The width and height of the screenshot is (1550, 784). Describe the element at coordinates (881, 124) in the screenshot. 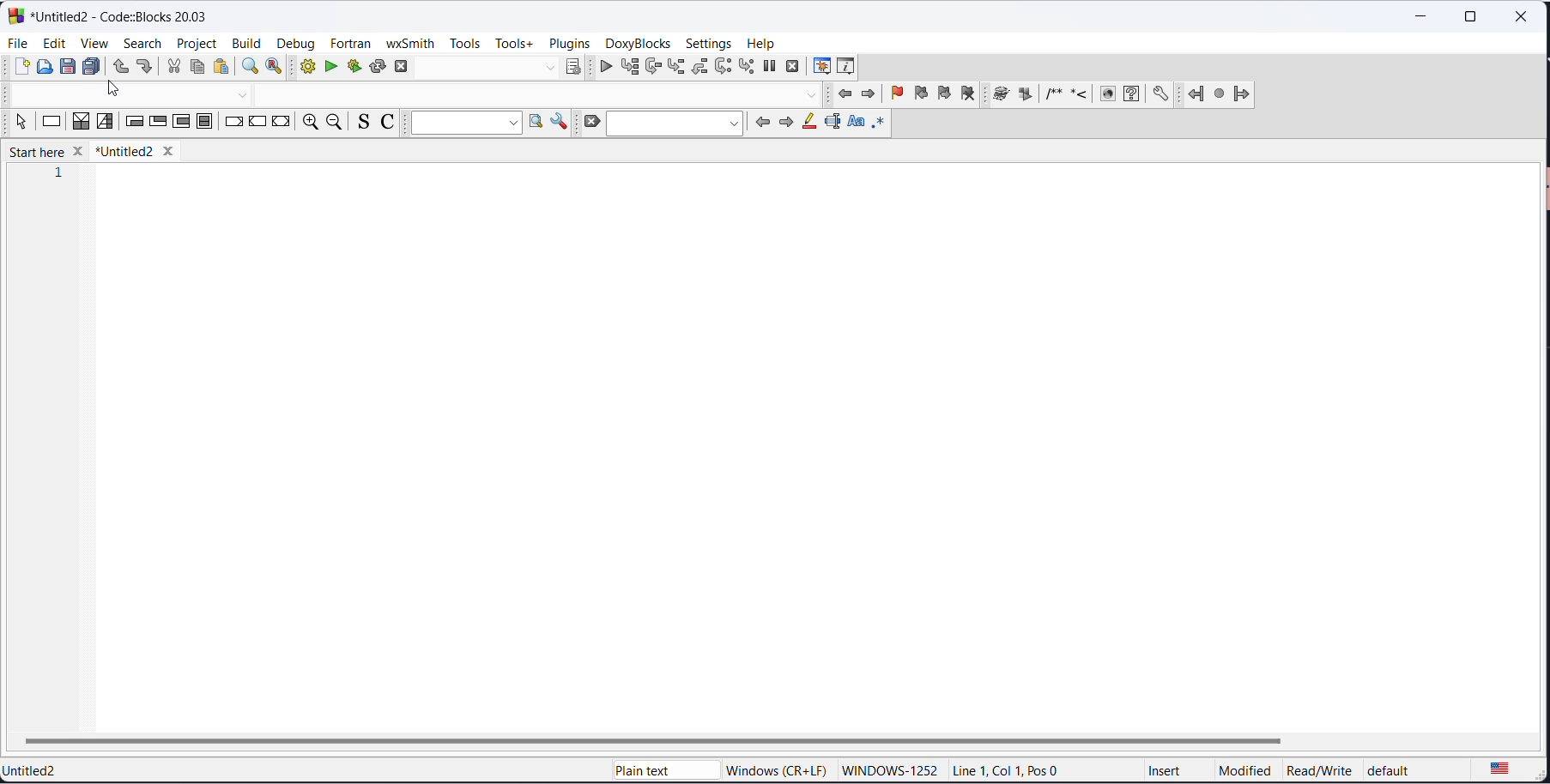

I see `regex` at that location.